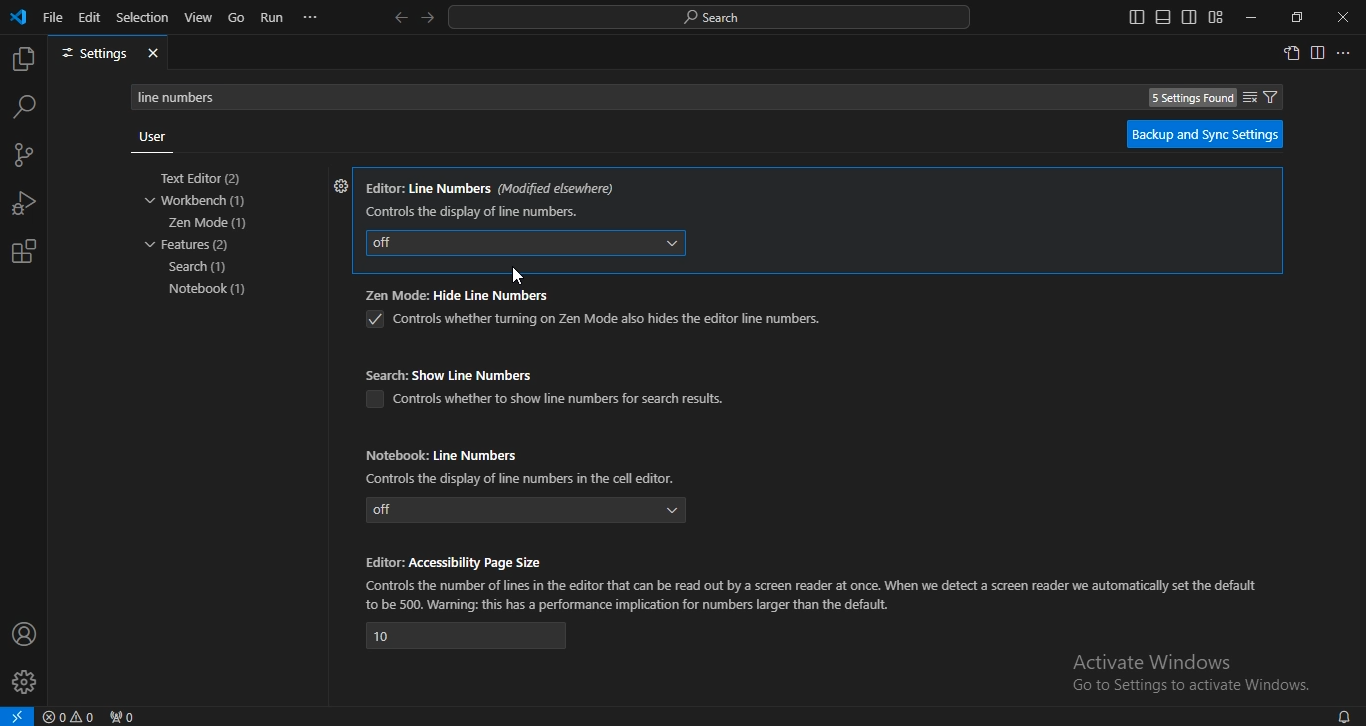 This screenshot has height=726, width=1366. I want to click on notebook, so click(213, 289).